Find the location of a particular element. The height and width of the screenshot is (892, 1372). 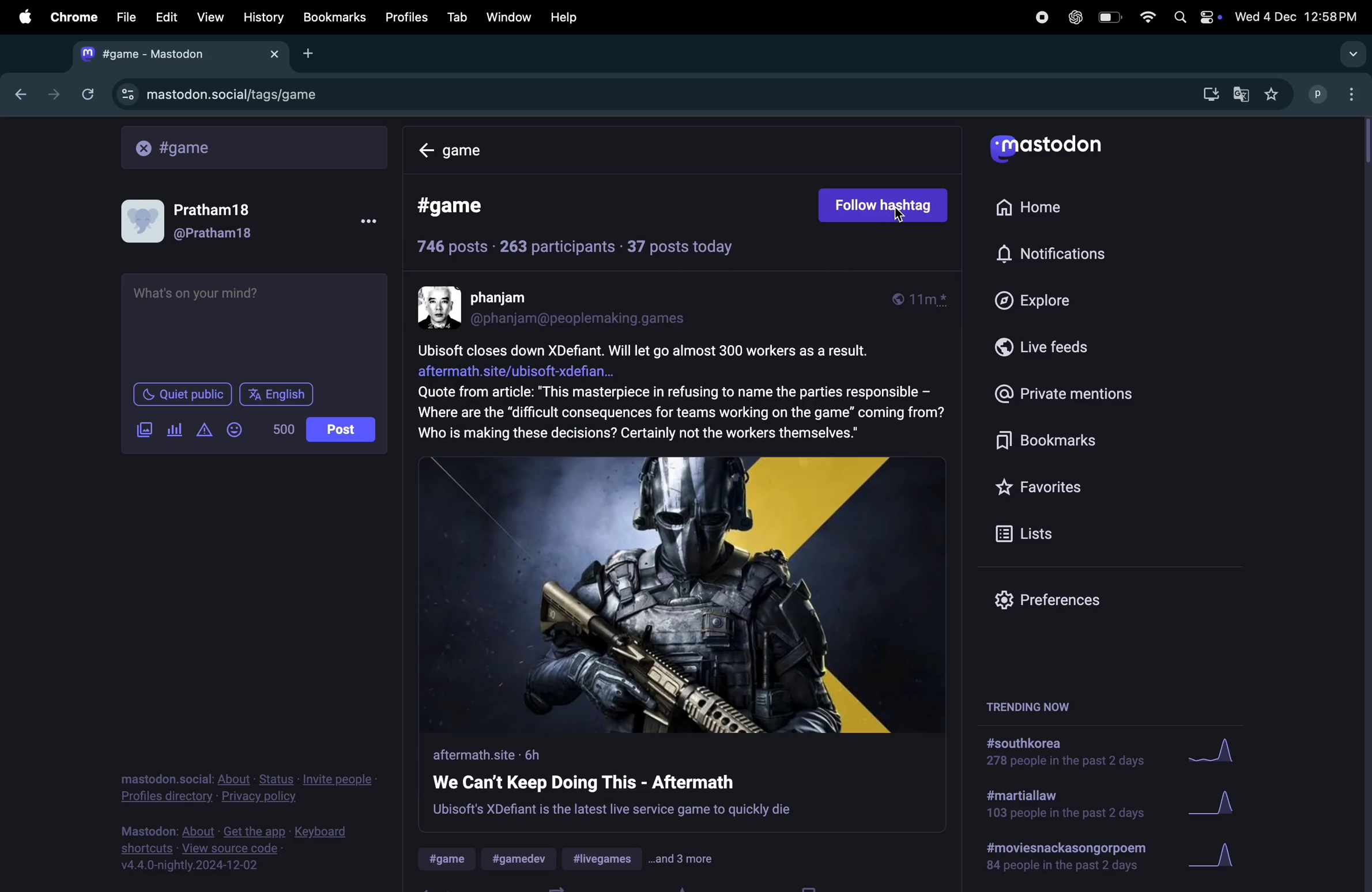

file is located at coordinates (125, 16).